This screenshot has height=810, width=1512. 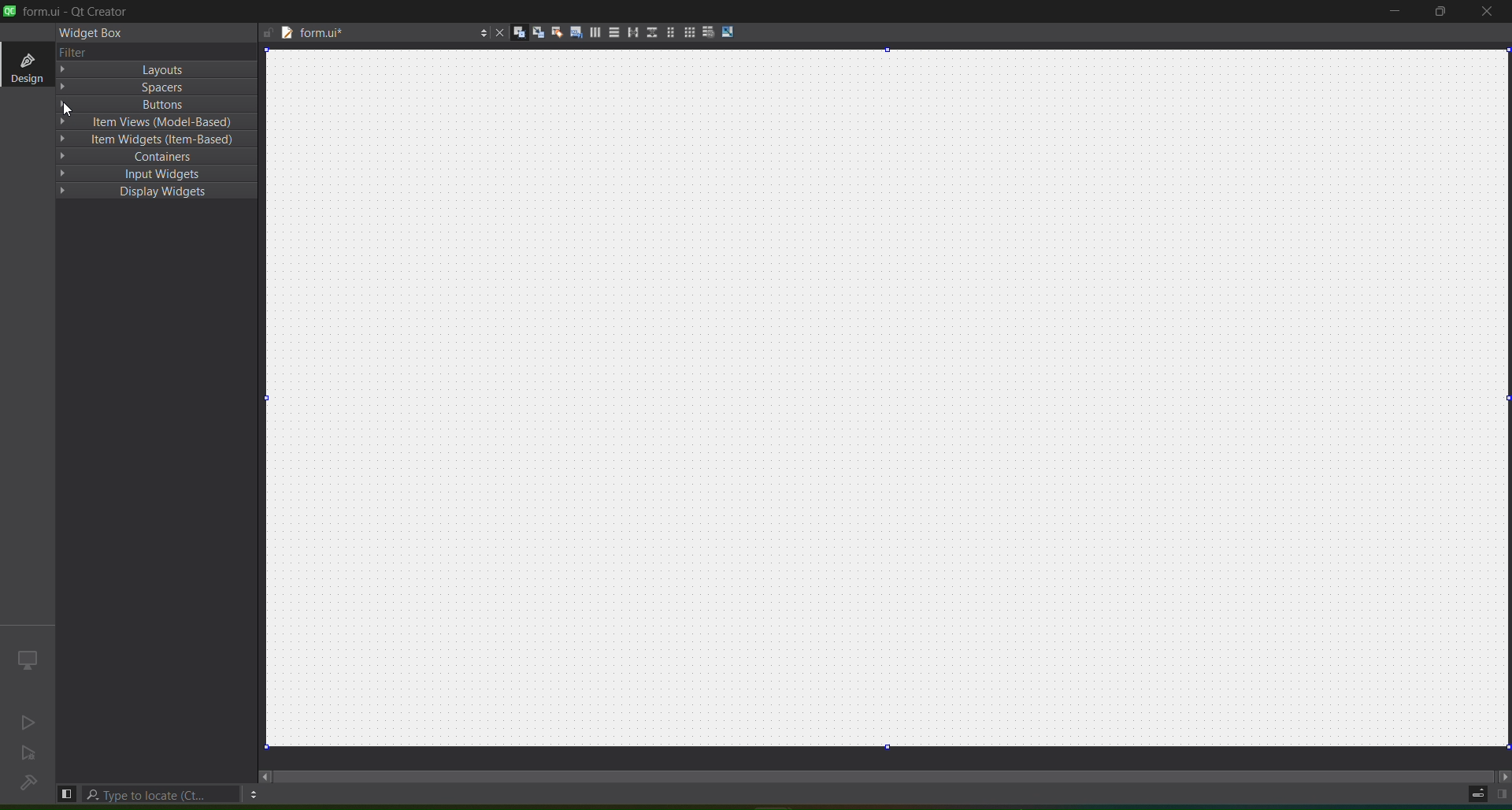 What do you see at coordinates (95, 35) in the screenshot?
I see `widget box` at bounding box center [95, 35].